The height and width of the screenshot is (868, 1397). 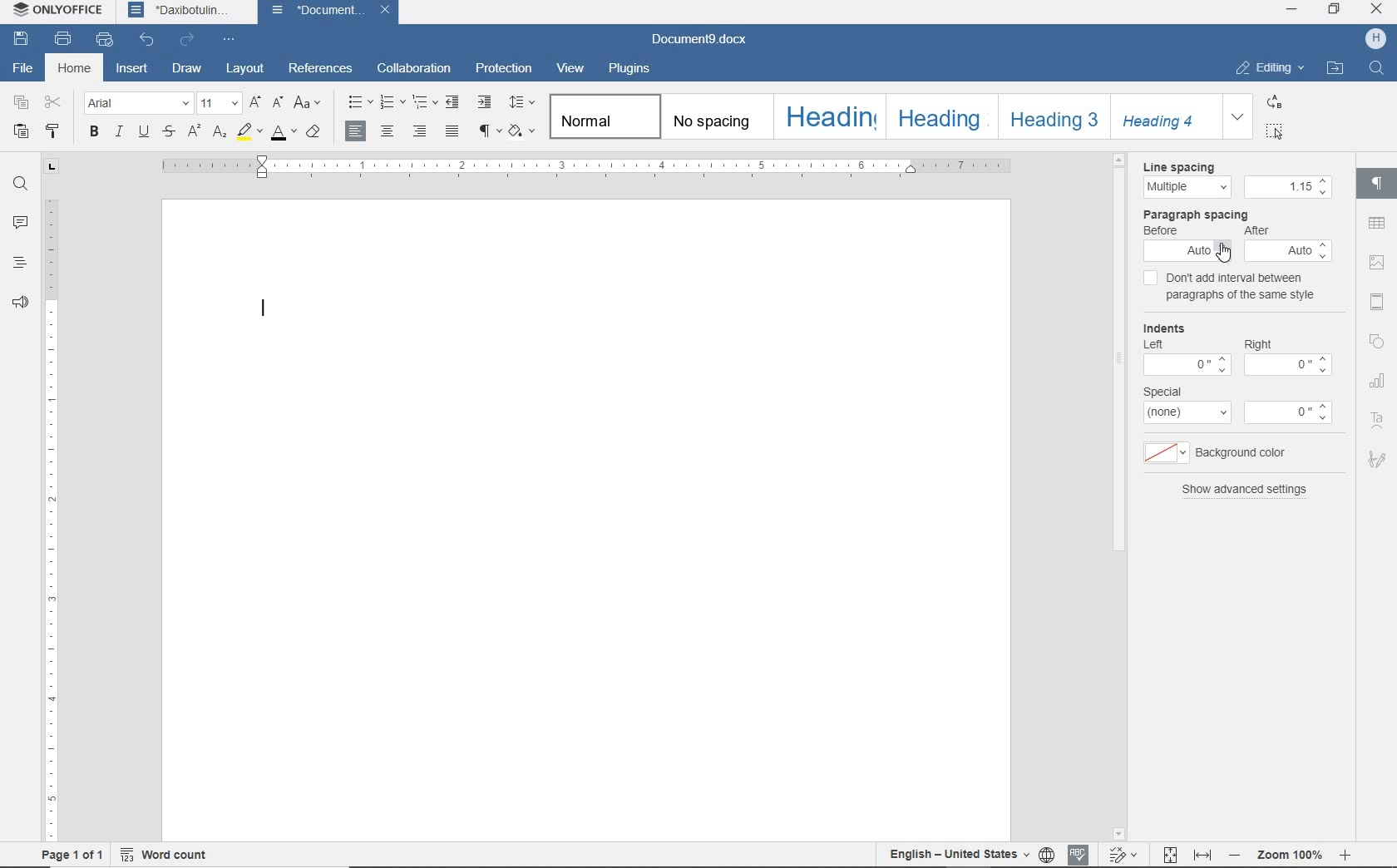 What do you see at coordinates (266, 309) in the screenshot?
I see `editor` at bounding box center [266, 309].